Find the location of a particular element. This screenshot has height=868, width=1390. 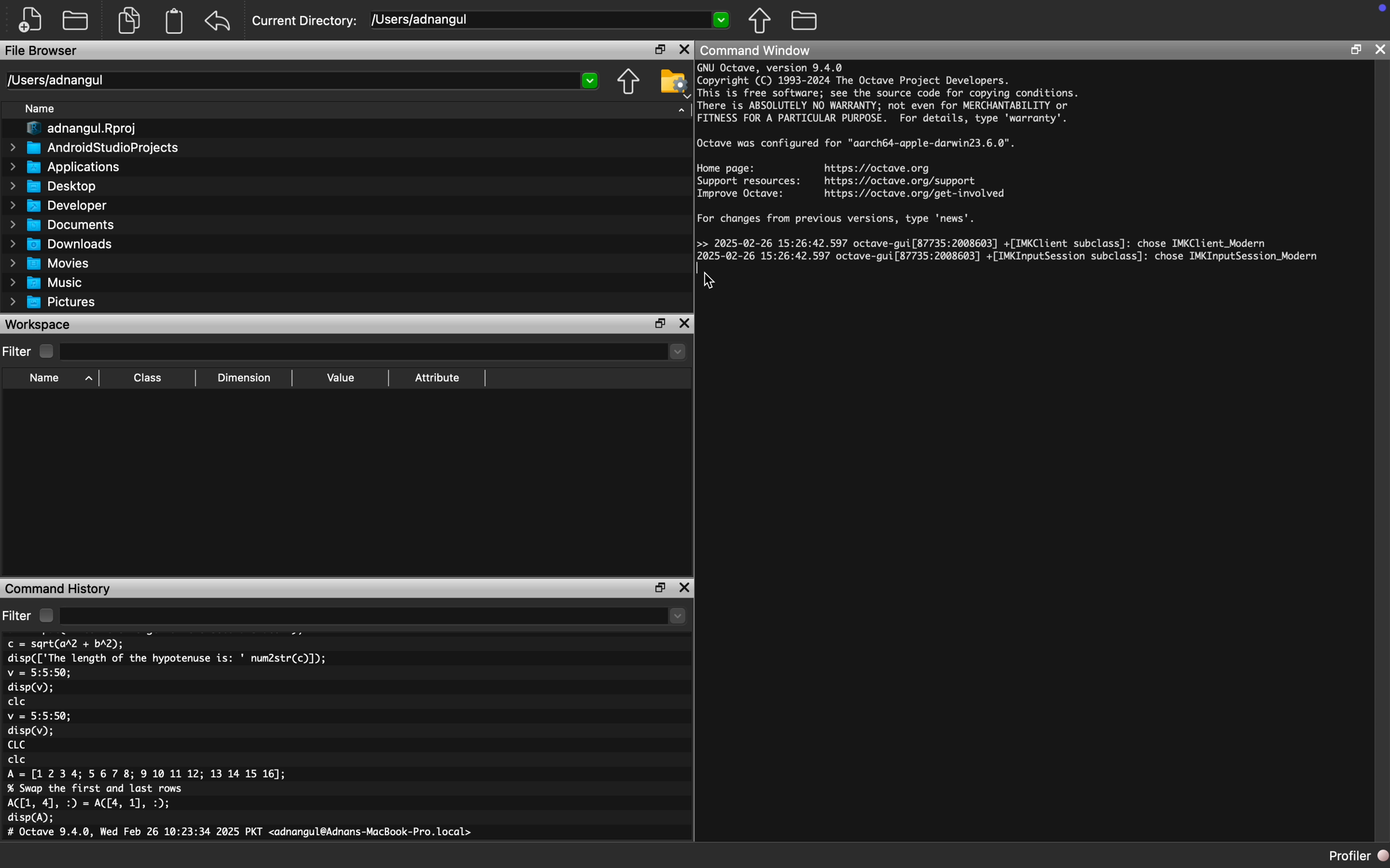

Folder Settings is located at coordinates (674, 83).